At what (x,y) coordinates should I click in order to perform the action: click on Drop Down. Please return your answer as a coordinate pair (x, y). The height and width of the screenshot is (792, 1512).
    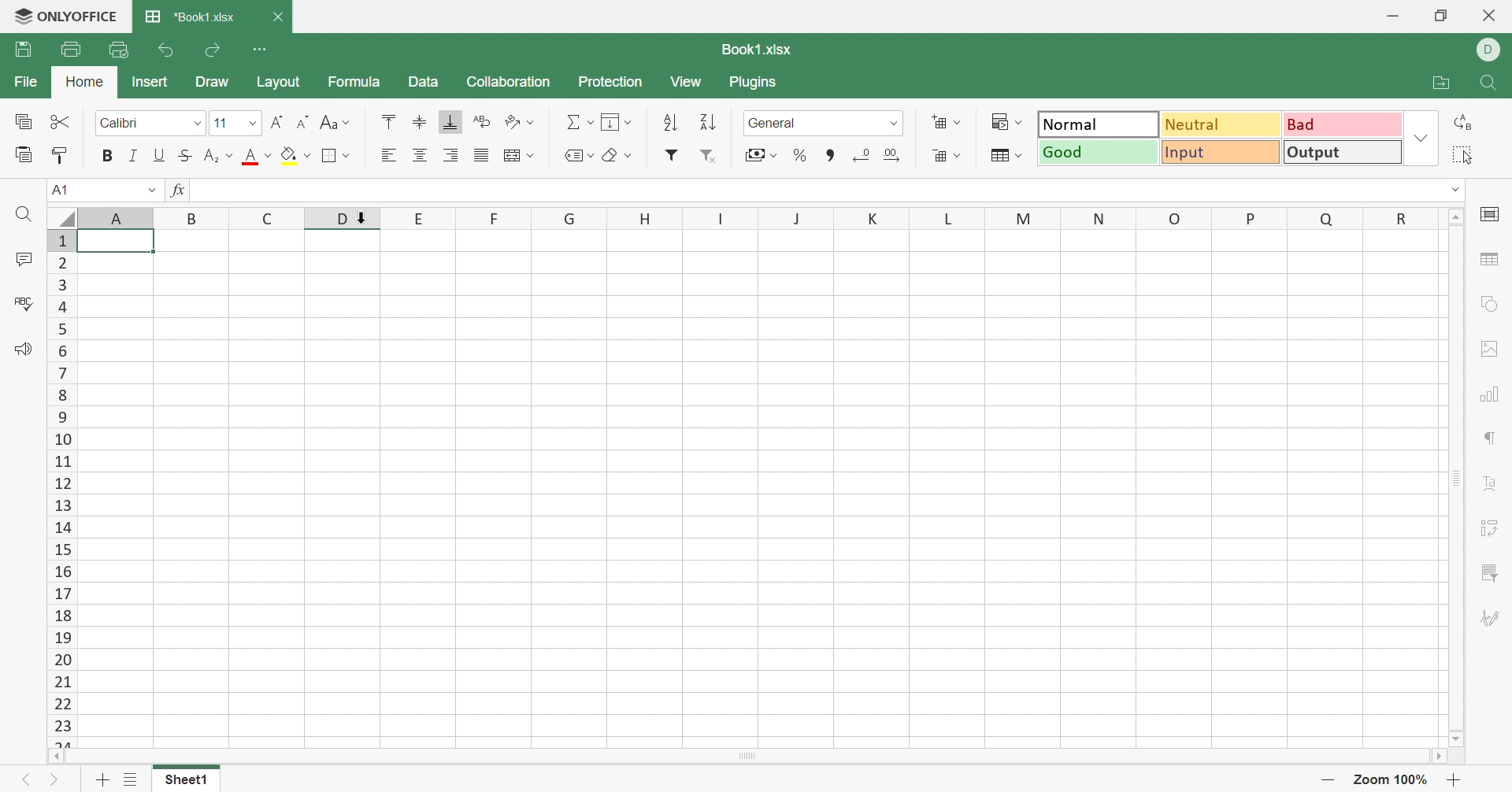
    Looking at the image, I should click on (1425, 134).